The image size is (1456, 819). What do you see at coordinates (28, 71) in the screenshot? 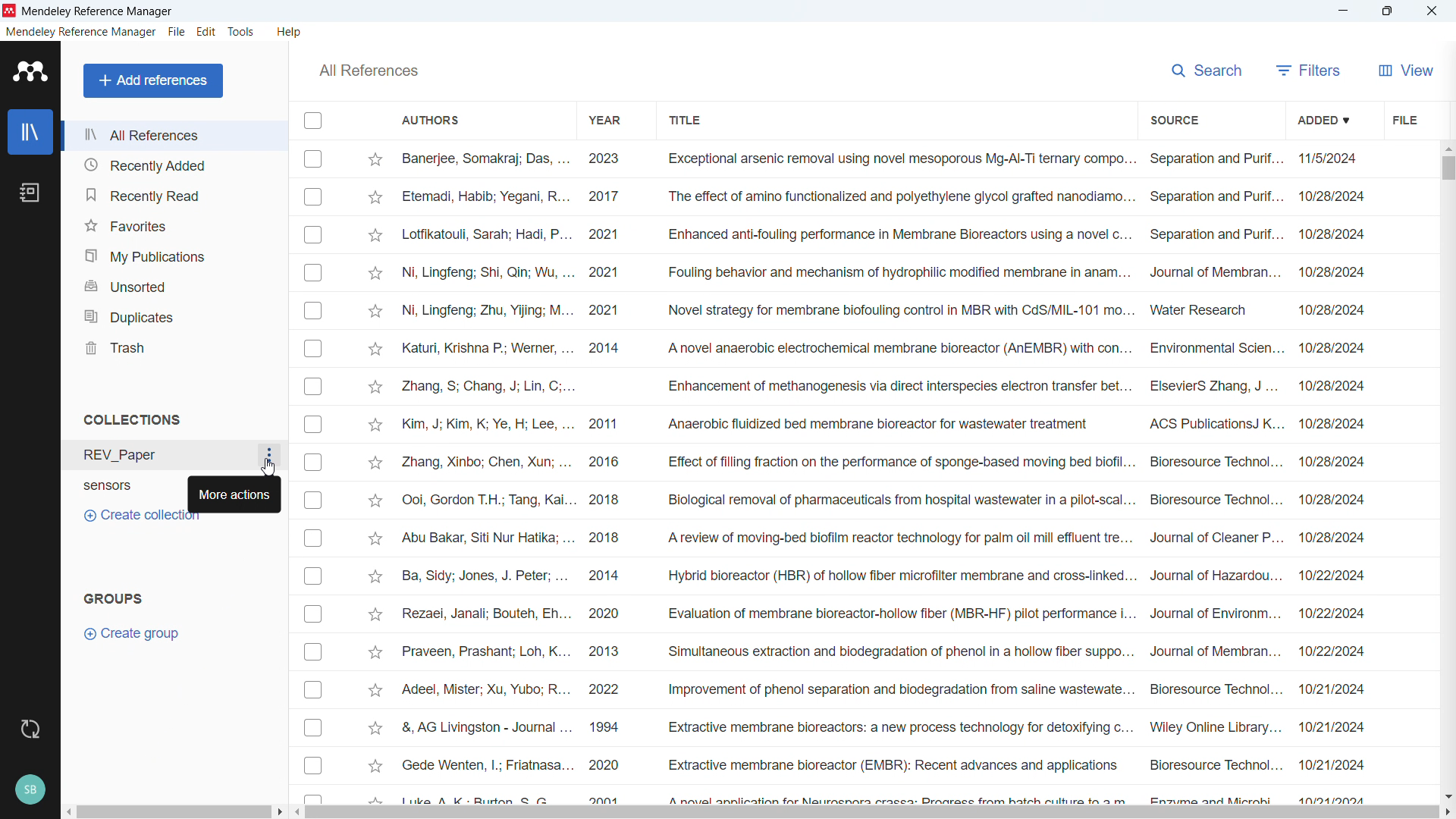
I see `Software logo` at bounding box center [28, 71].